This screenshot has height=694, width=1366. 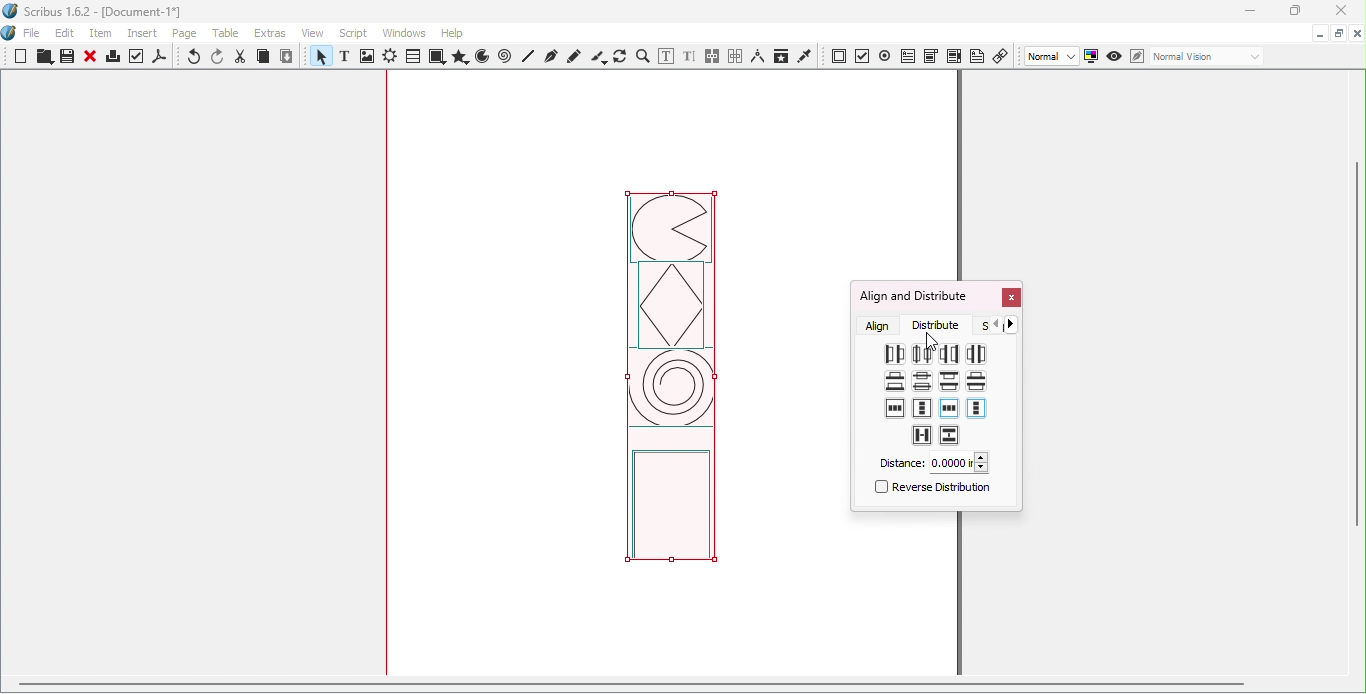 What do you see at coordinates (975, 380) in the screenshot?
I see `Make vertical gaps between items equal` at bounding box center [975, 380].